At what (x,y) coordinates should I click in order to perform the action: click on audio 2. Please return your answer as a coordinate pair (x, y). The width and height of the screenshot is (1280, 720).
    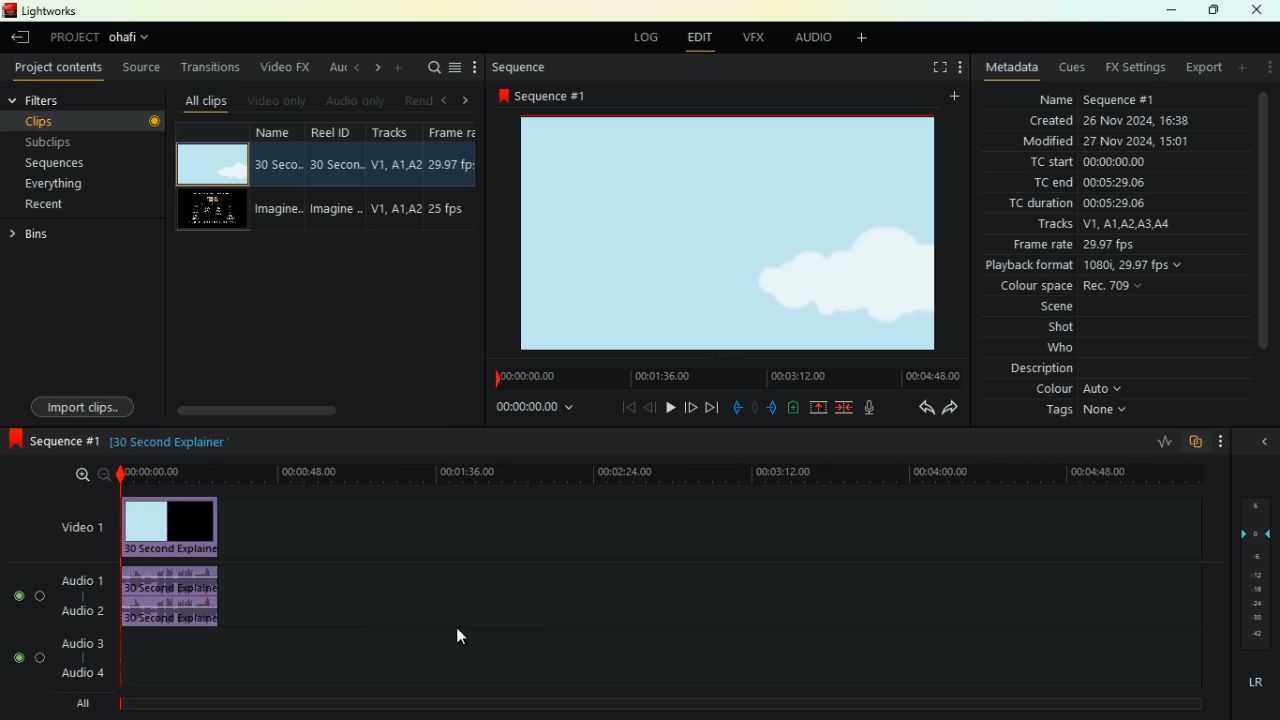
    Looking at the image, I should click on (81, 615).